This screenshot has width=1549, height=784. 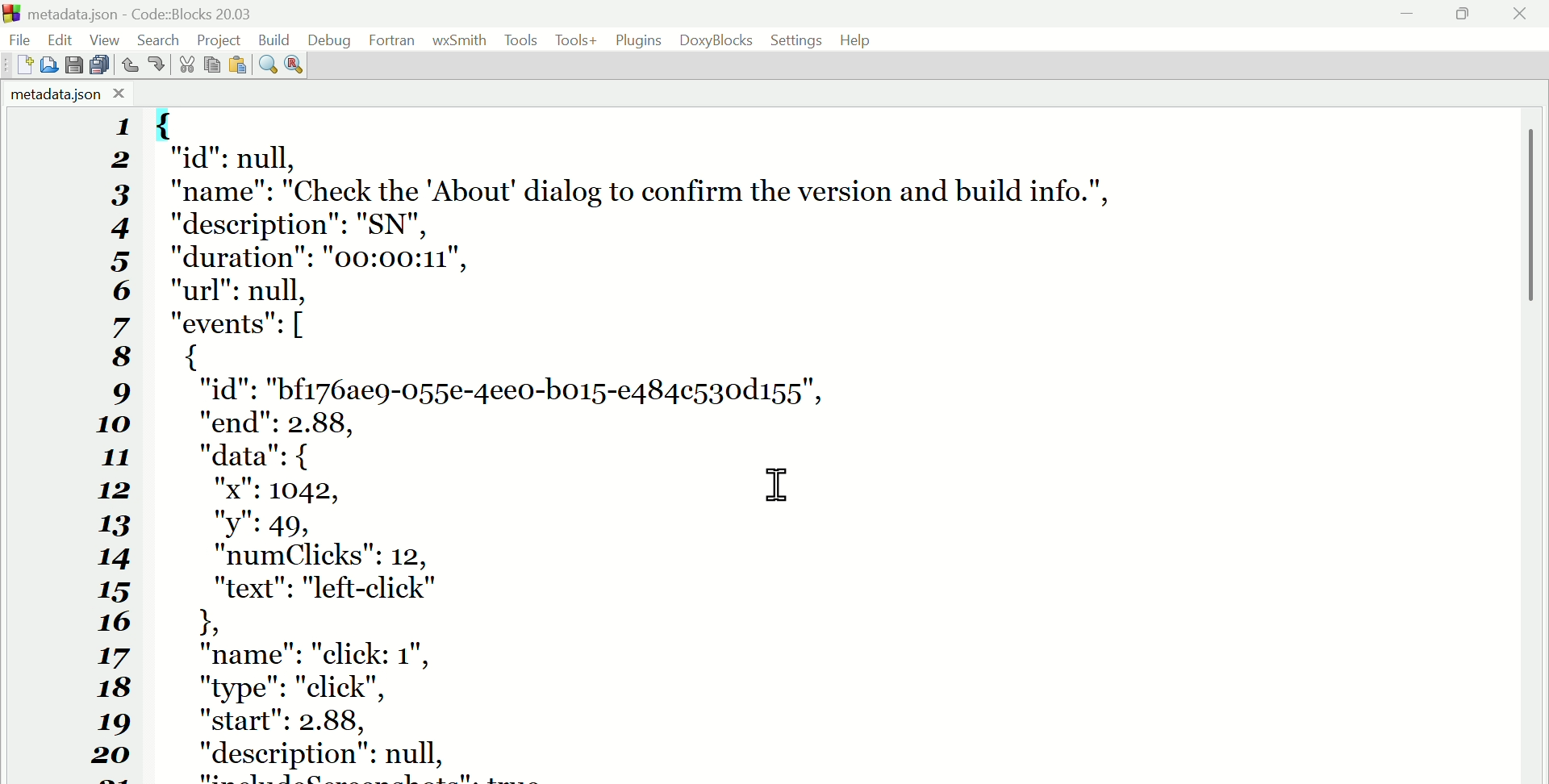 What do you see at coordinates (113, 446) in the screenshot?
I see `1
2
3
4
5
6
7
8
9

10
11
12
13
14
15
16
17
18
19
20
21
22
23
24
25
26` at bounding box center [113, 446].